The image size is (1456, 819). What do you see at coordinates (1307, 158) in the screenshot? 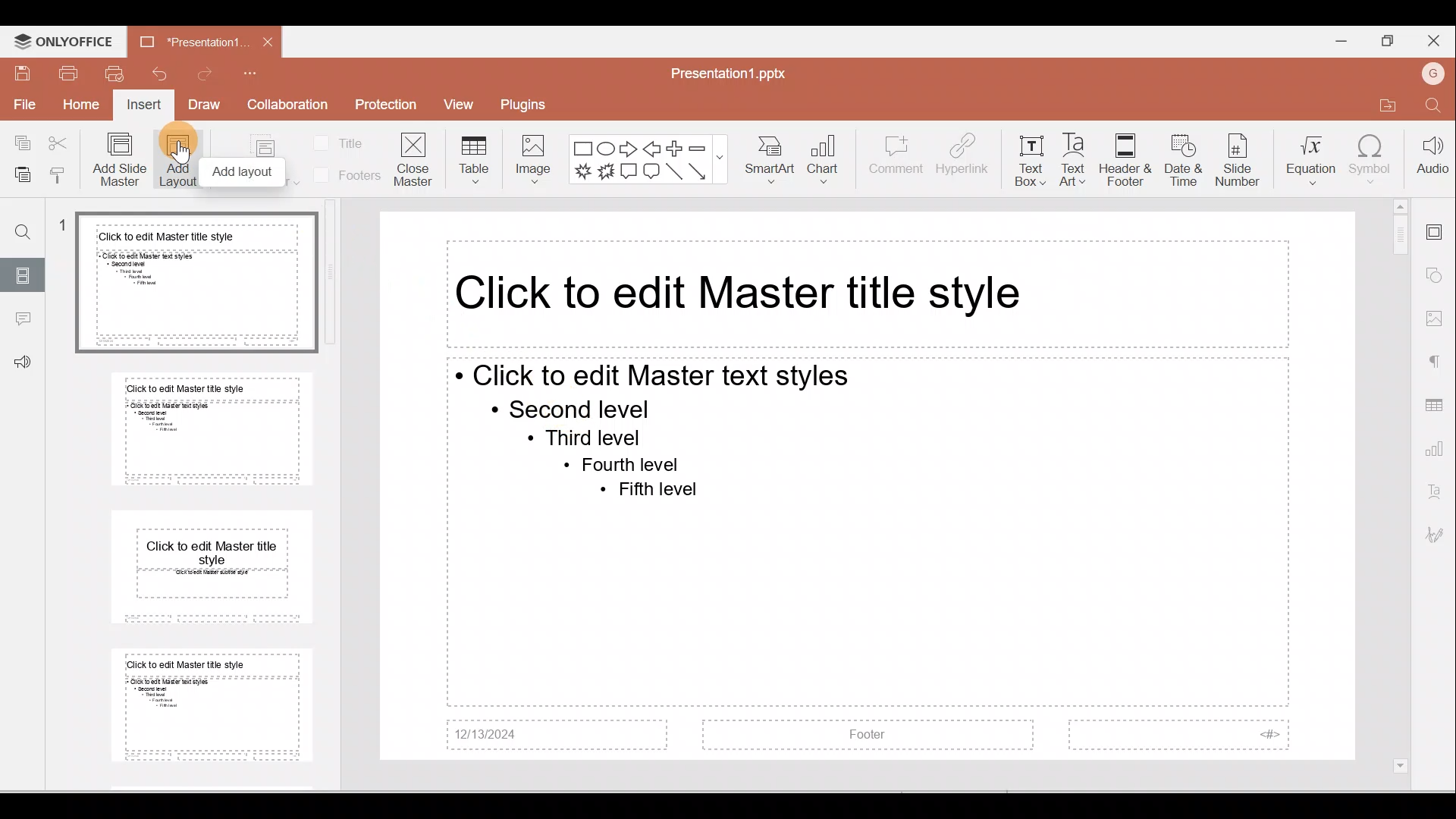
I see `Equation` at bounding box center [1307, 158].